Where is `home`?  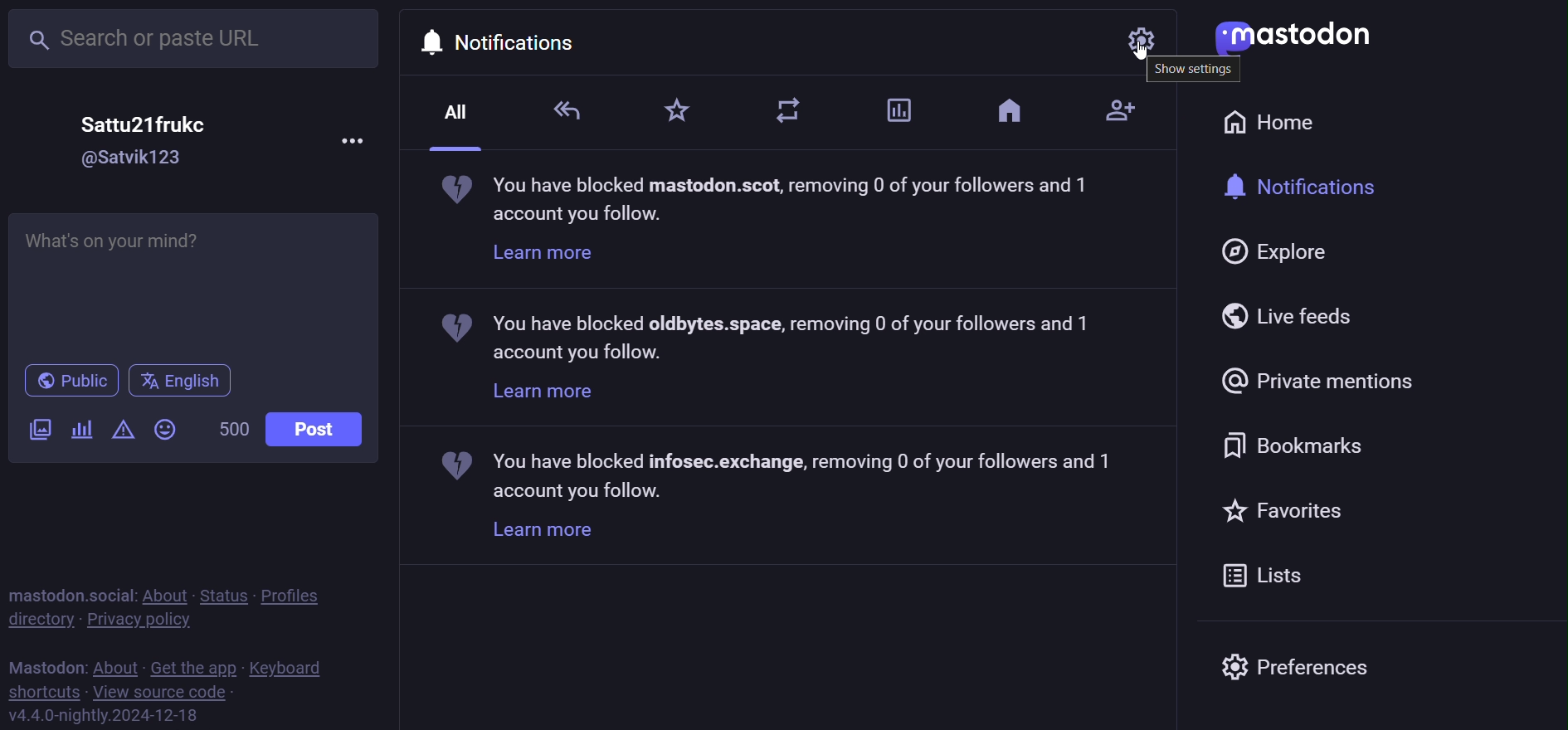 home is located at coordinates (1010, 112).